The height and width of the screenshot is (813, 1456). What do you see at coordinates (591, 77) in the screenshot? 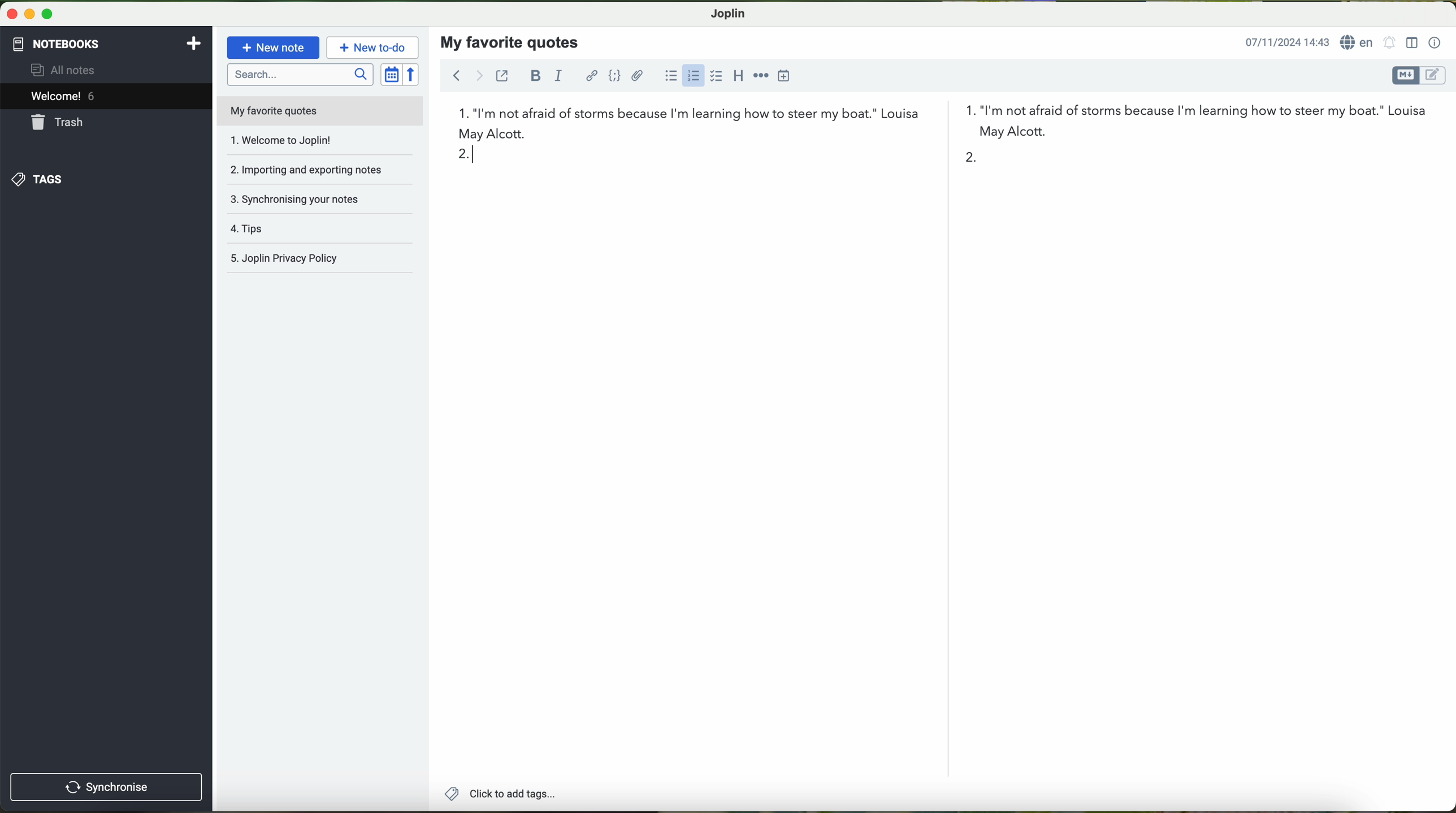
I see `hyperlink` at bounding box center [591, 77].